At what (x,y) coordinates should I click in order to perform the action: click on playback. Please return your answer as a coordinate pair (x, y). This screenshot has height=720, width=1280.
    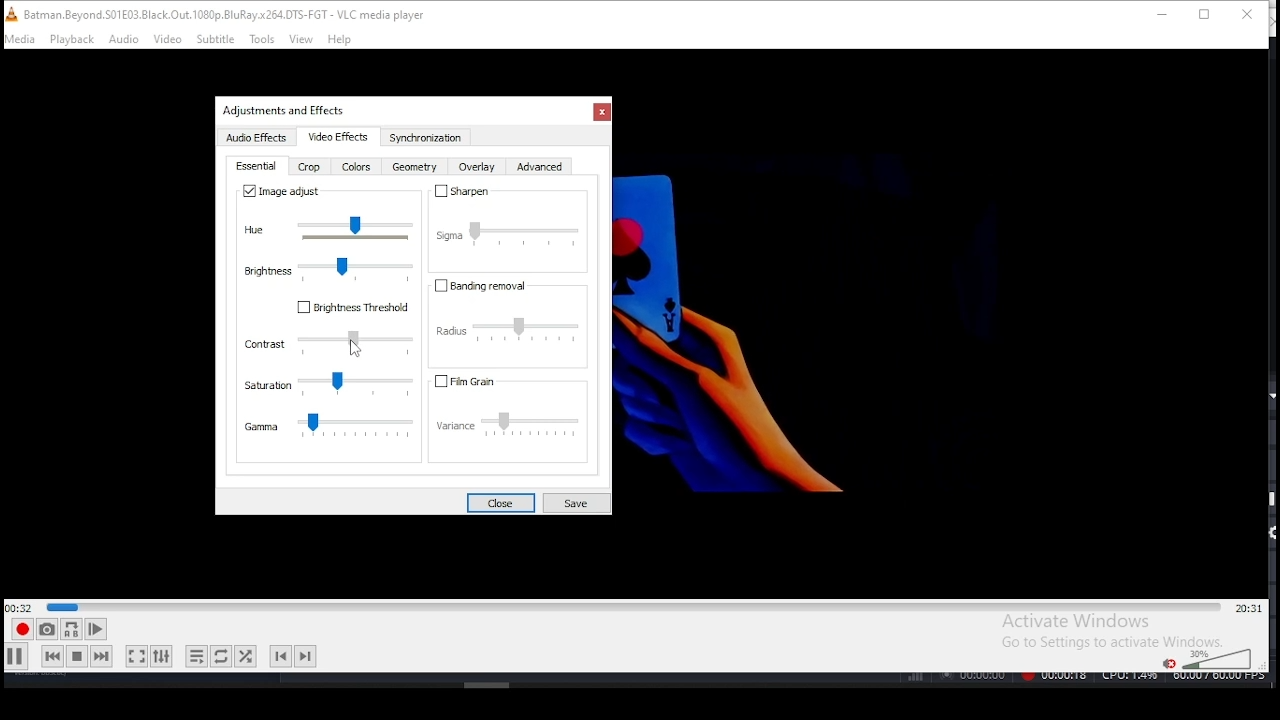
    Looking at the image, I should click on (72, 40).